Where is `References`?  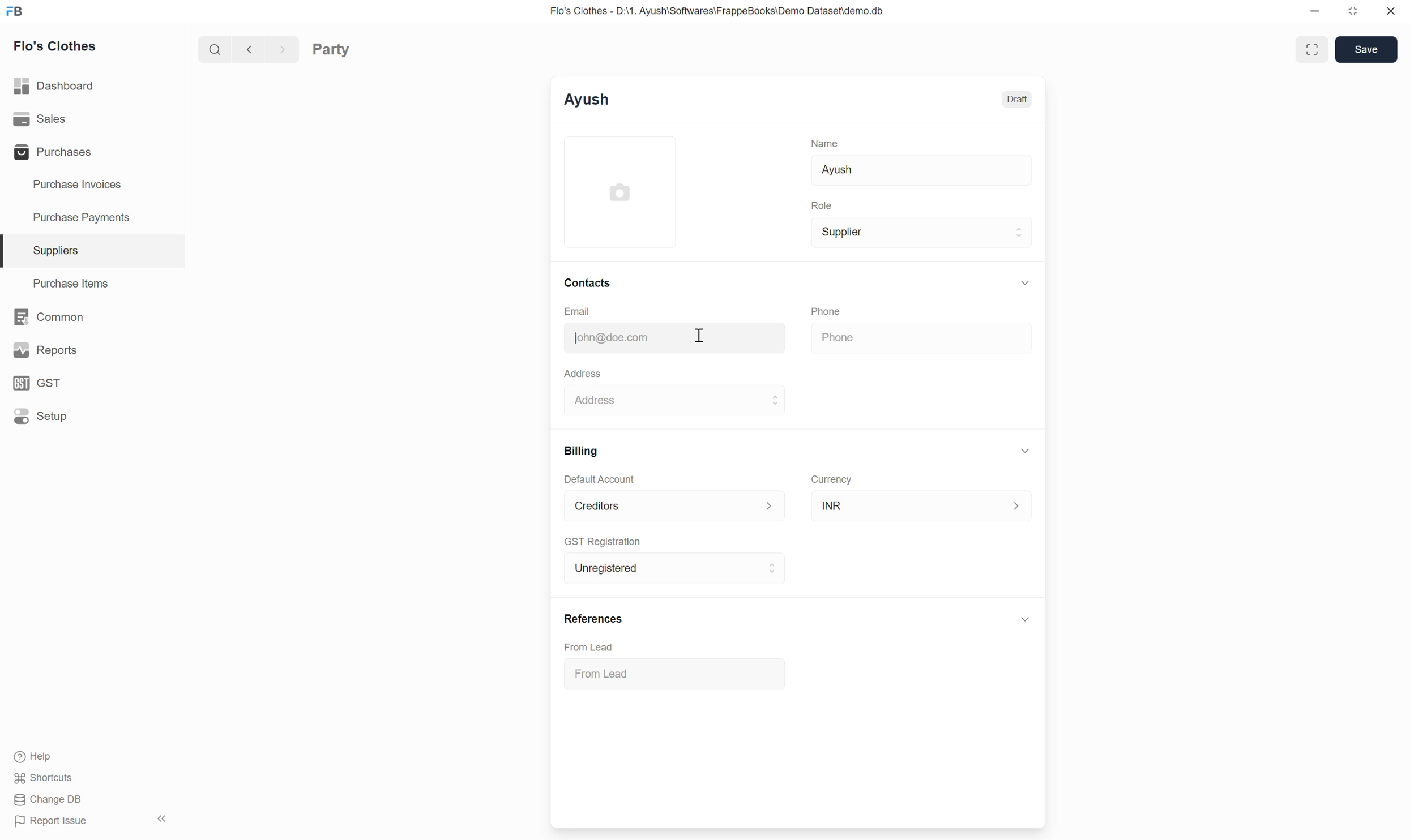
References is located at coordinates (595, 619).